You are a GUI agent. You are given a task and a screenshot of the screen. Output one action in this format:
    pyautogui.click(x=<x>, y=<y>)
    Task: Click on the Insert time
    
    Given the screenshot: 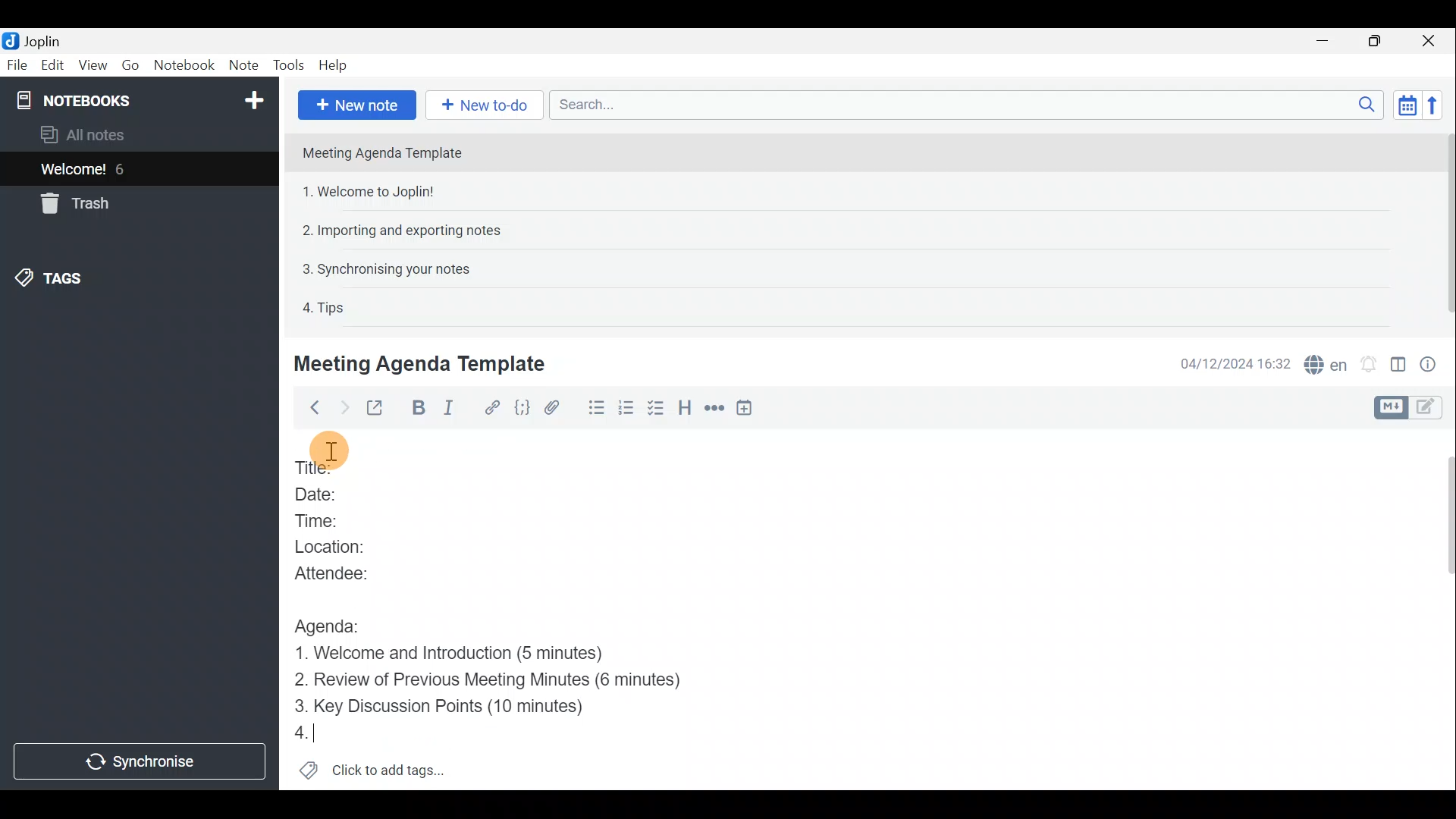 What is the action you would take?
    pyautogui.click(x=748, y=410)
    